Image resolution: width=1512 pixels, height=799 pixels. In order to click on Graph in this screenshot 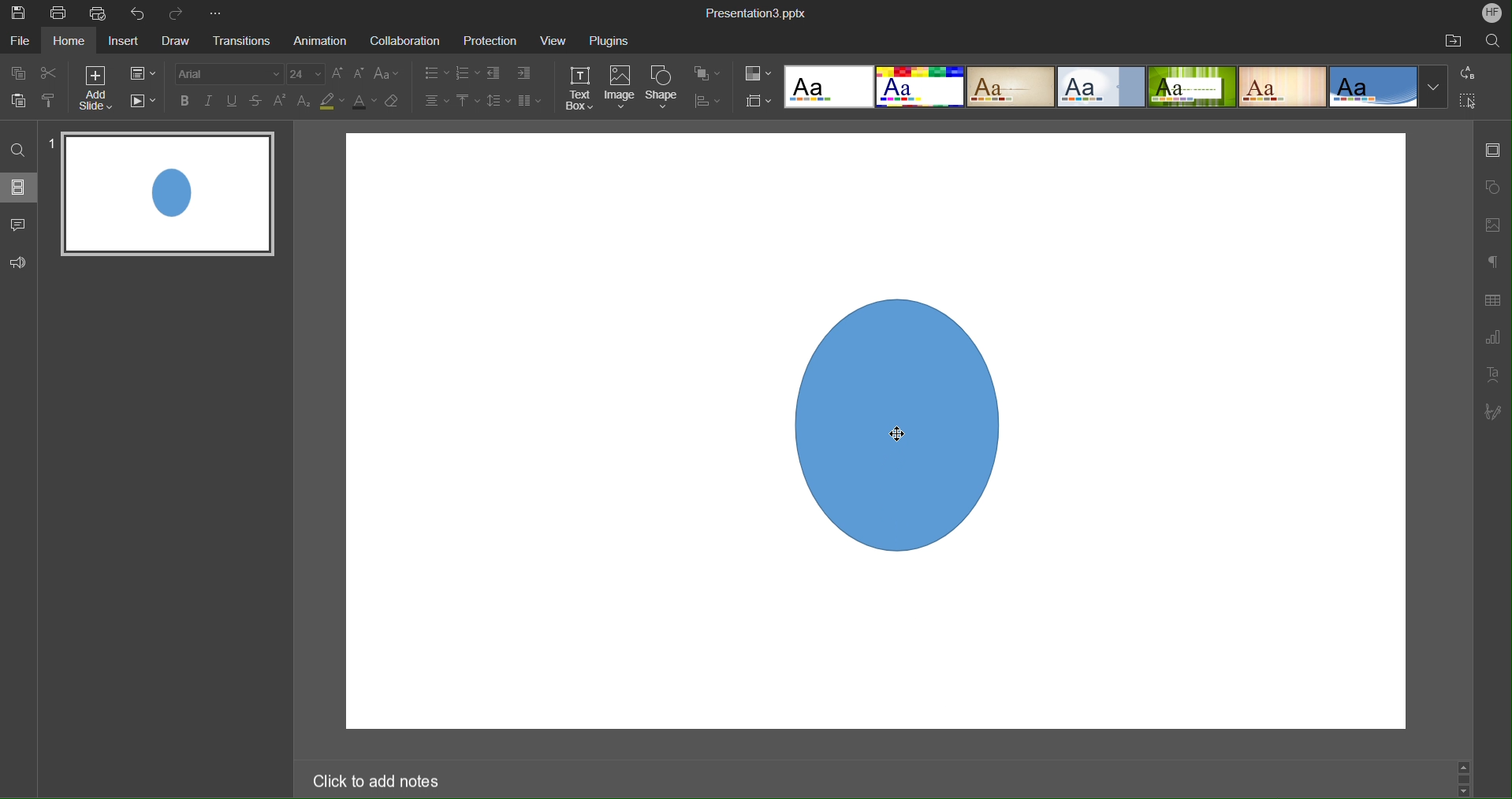, I will do `click(1492, 337)`.